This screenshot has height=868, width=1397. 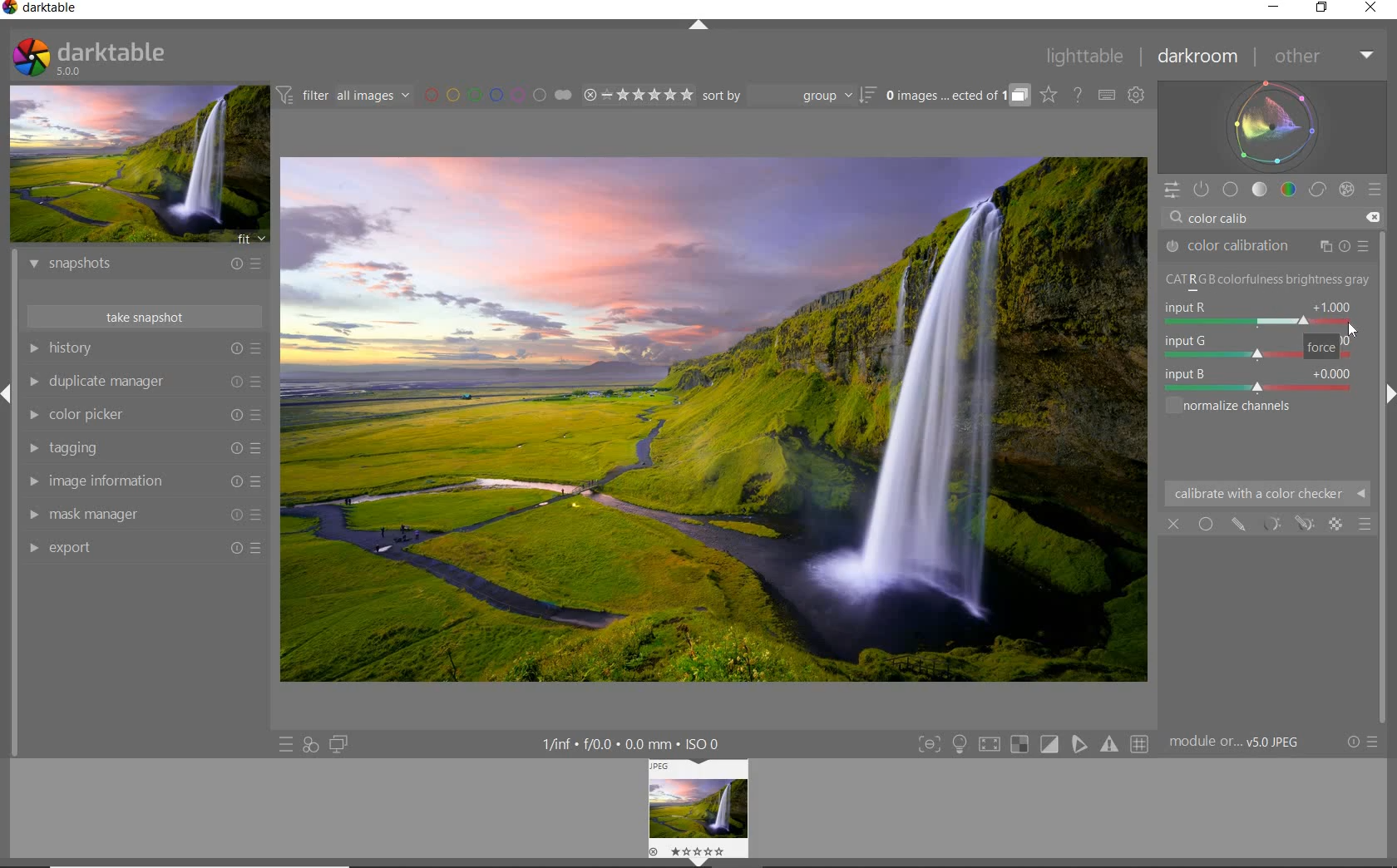 I want to click on effect, so click(x=1345, y=189).